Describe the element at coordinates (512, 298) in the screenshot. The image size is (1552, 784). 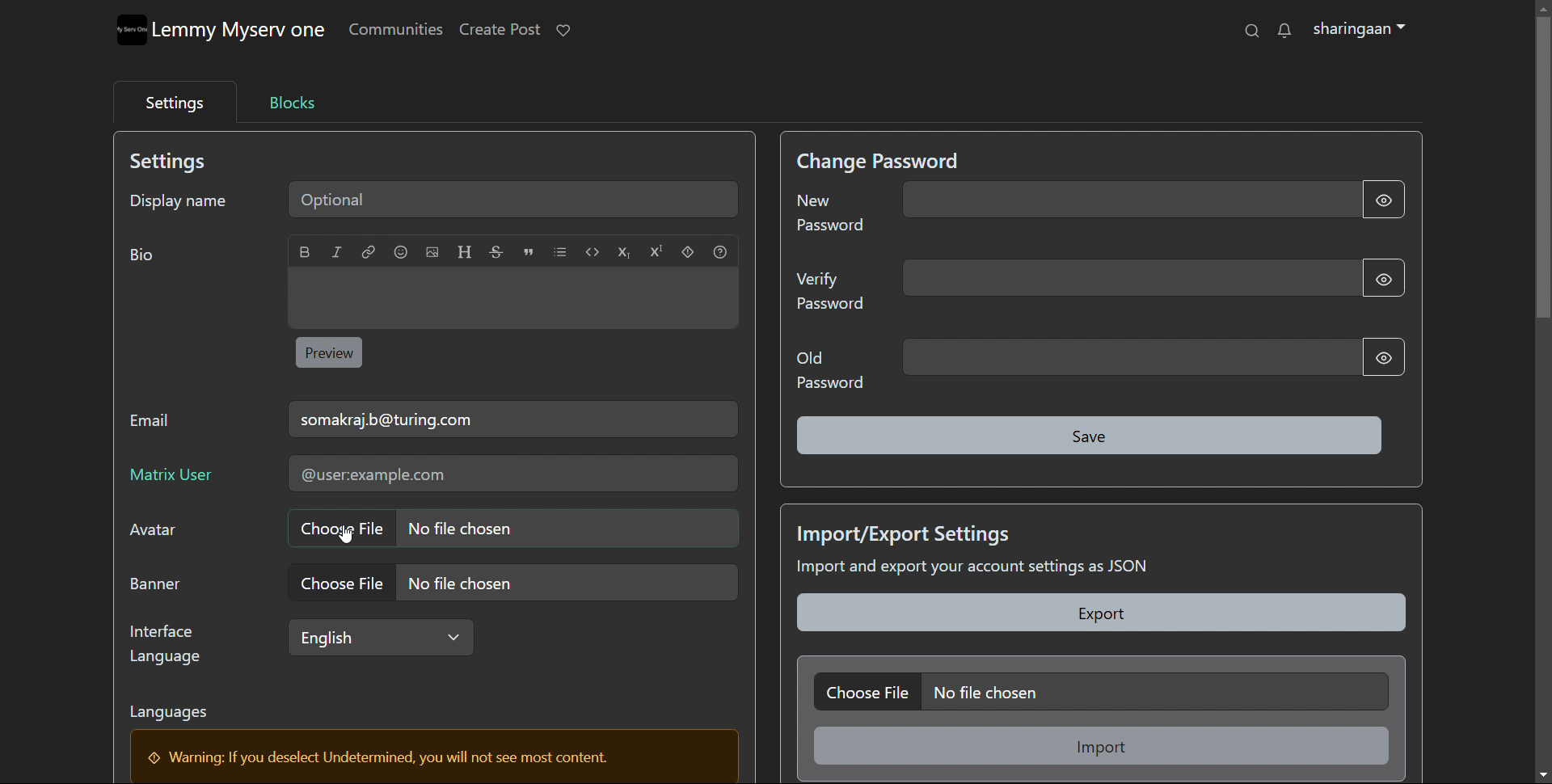
I see `add bio` at that location.